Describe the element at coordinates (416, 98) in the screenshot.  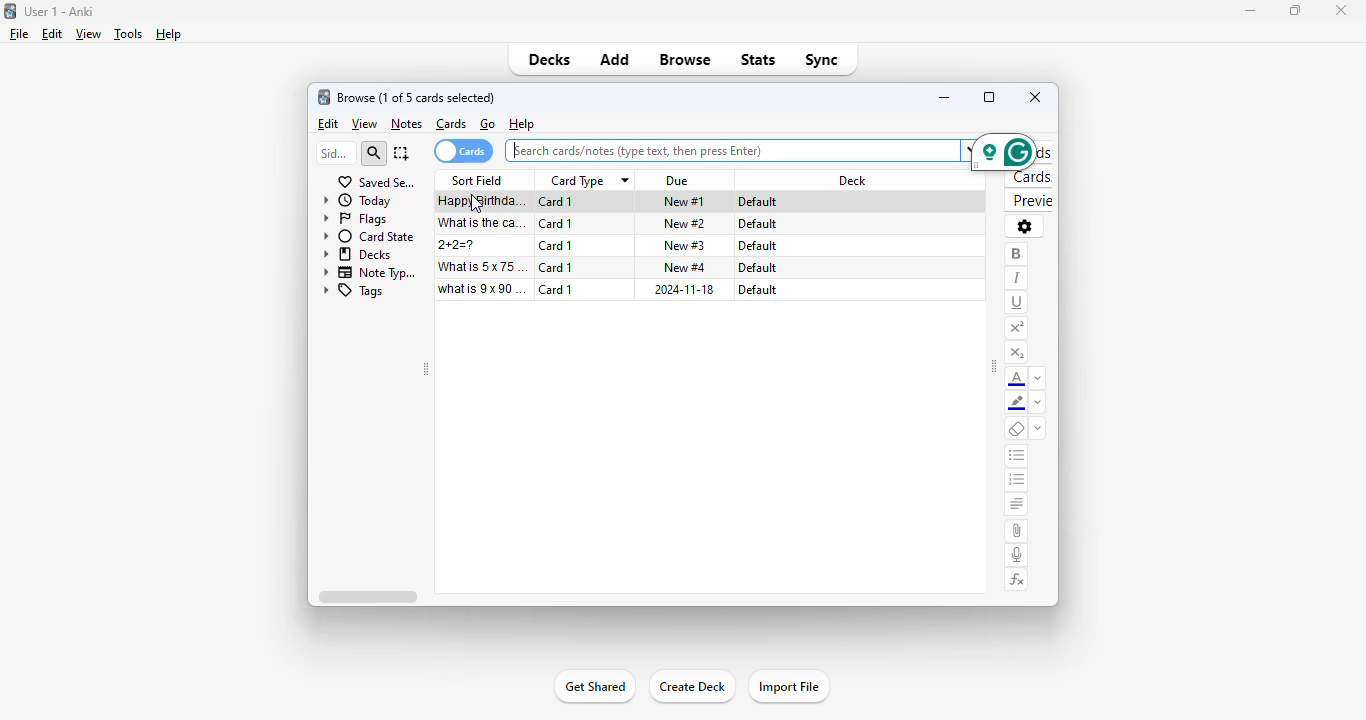
I see `browse (1 of 5 cards selected)` at that location.